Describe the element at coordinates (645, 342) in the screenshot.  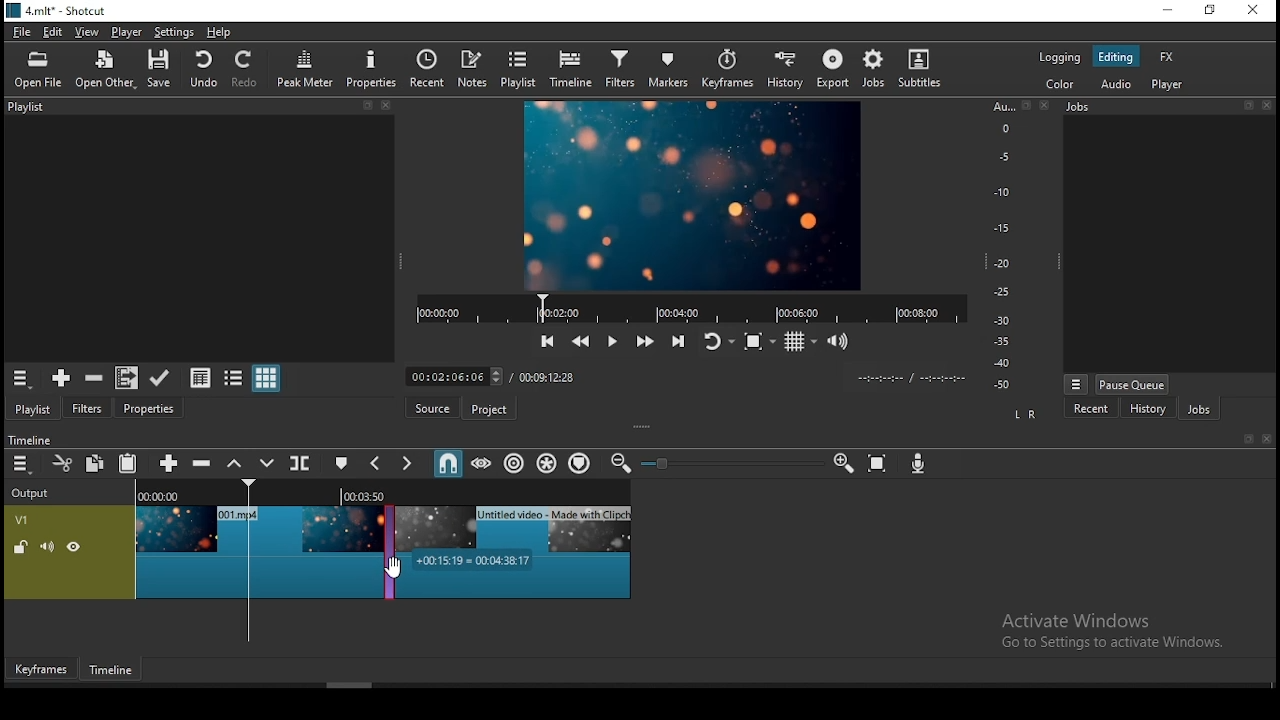
I see `play quickly forwards` at that location.